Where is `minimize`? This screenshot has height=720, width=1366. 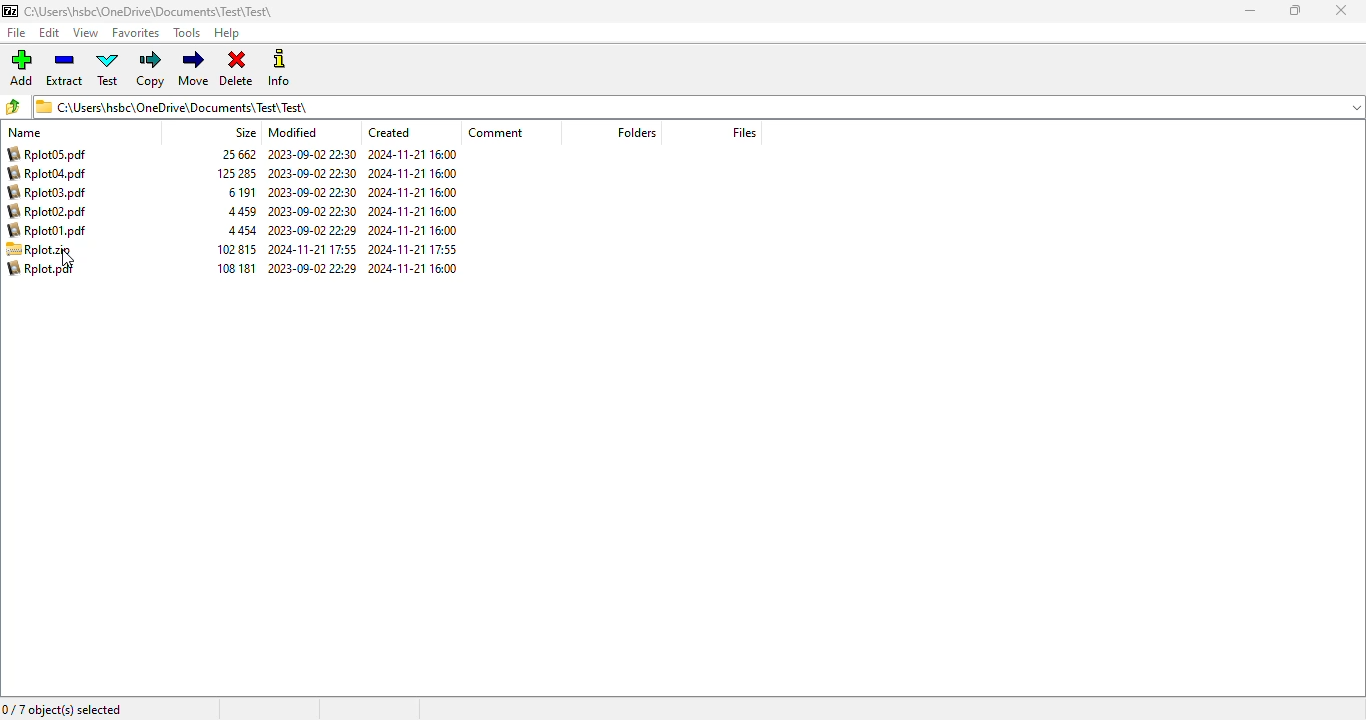
minimize is located at coordinates (1250, 11).